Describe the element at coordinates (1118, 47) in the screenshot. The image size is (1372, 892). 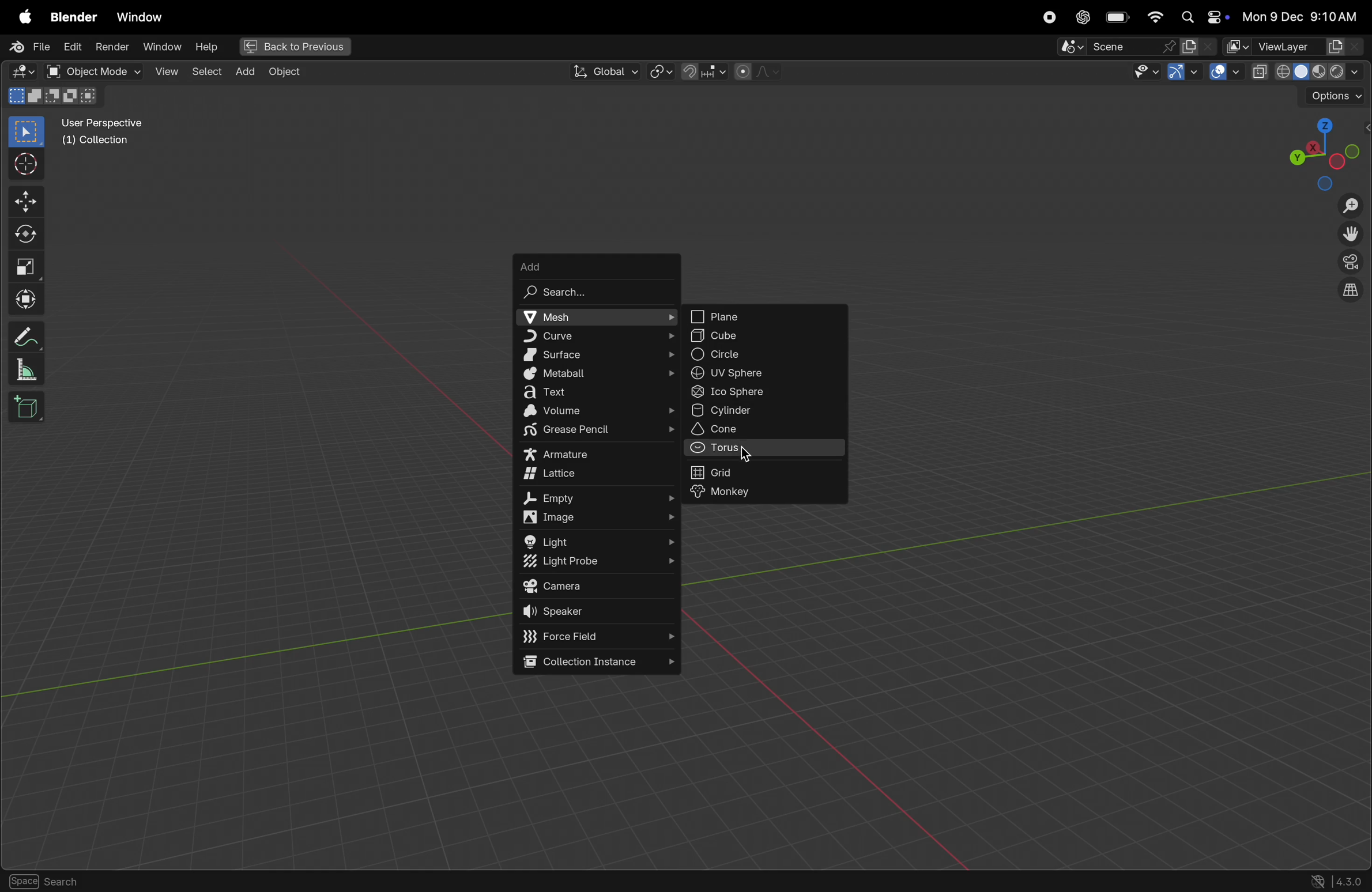
I see `scene` at that location.